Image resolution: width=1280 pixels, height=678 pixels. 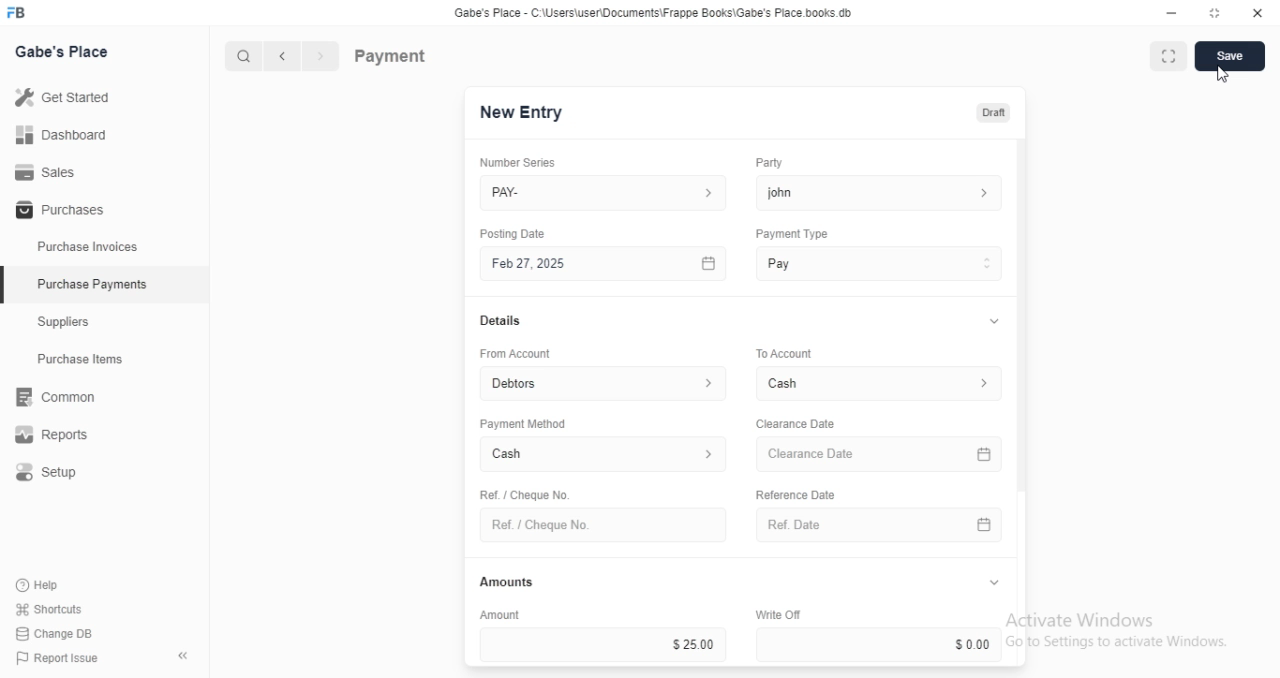 What do you see at coordinates (522, 113) in the screenshot?
I see `New Entry` at bounding box center [522, 113].